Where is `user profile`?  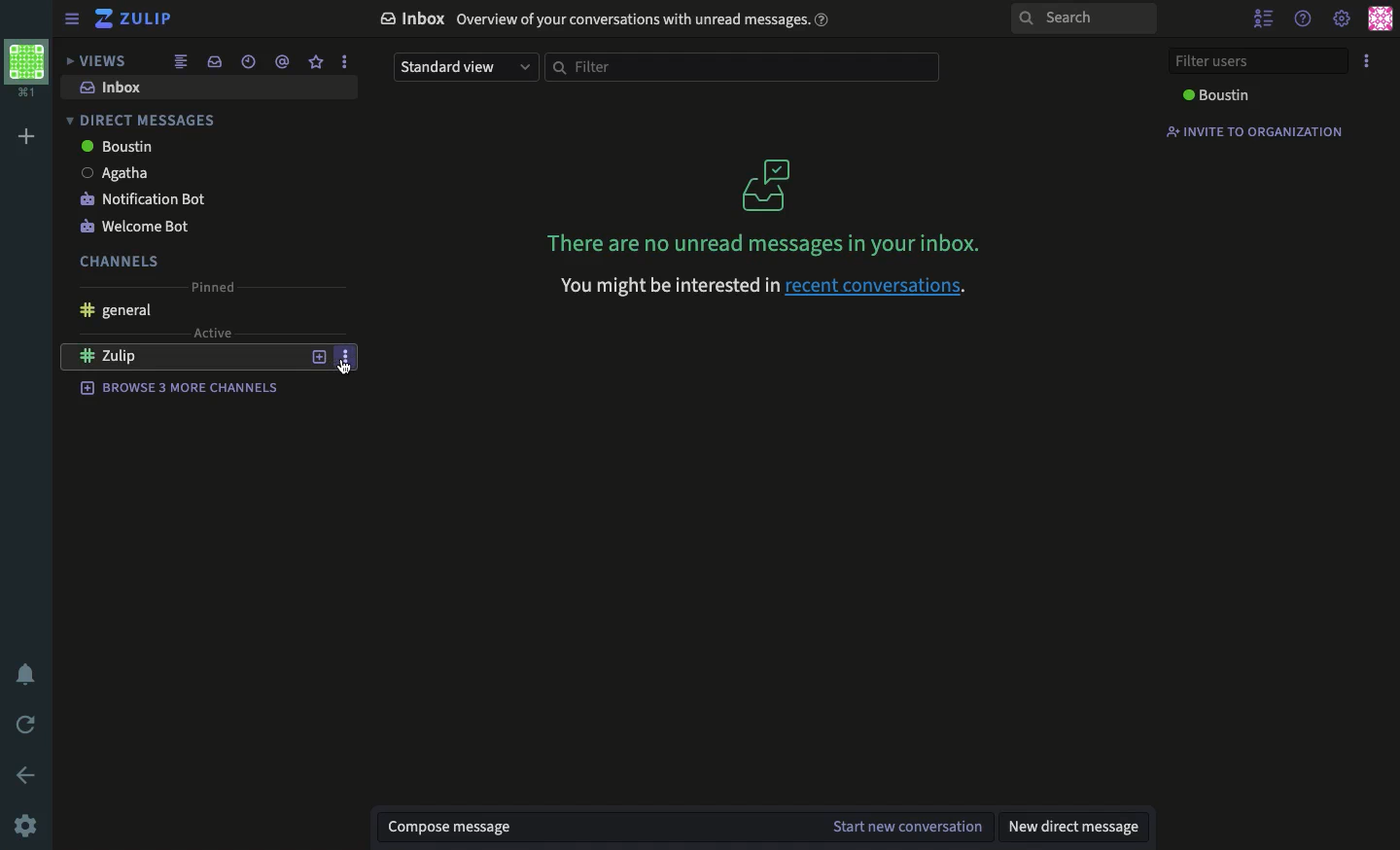
user profile is located at coordinates (1381, 18).